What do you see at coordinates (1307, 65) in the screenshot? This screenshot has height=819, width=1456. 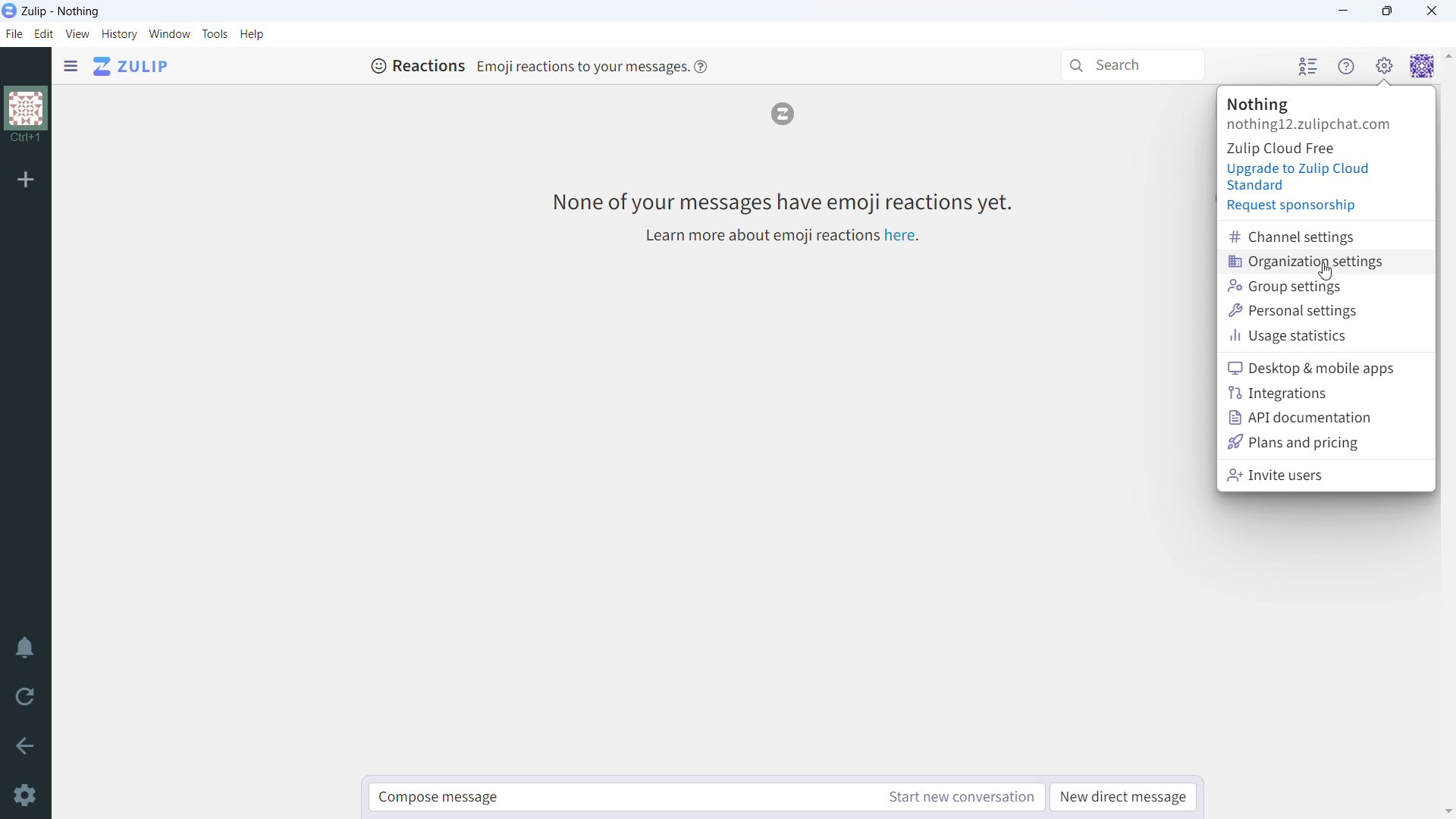 I see `hide user list` at bounding box center [1307, 65].